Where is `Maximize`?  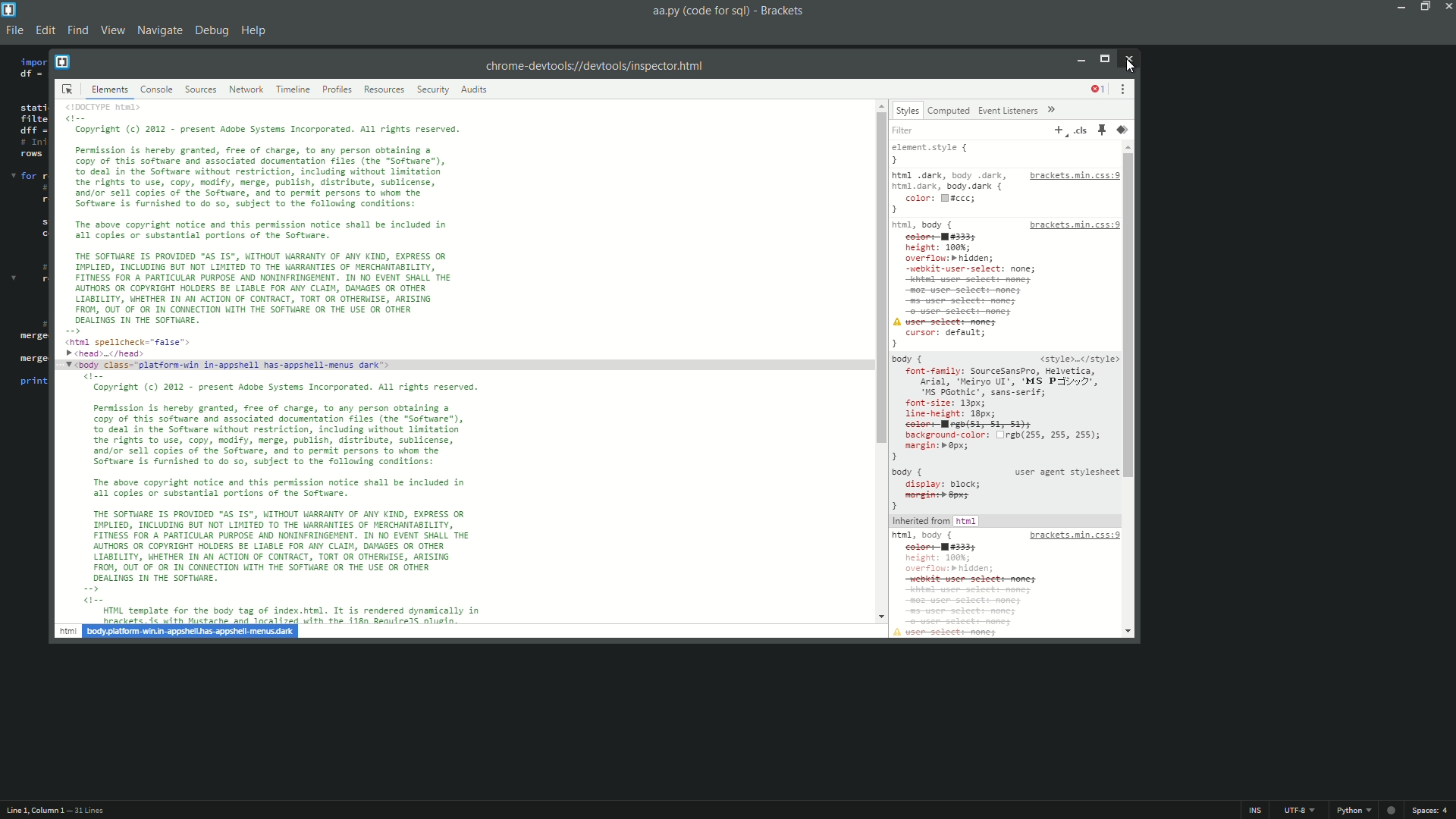
Maximize is located at coordinates (1104, 61).